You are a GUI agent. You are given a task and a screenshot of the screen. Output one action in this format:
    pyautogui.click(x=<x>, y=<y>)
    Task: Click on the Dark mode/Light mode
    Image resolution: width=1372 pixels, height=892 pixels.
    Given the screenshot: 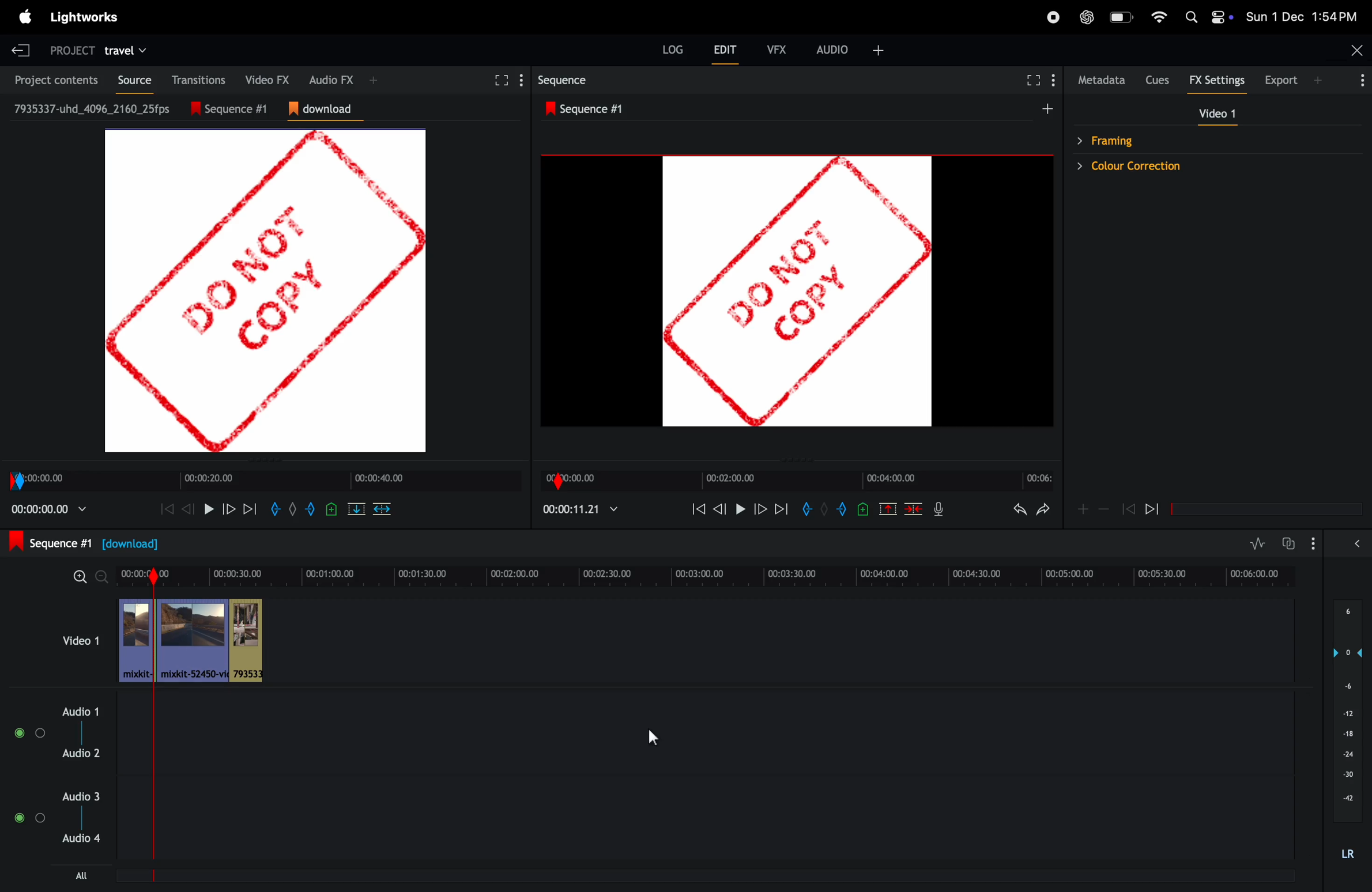 What is the action you would take?
    pyautogui.click(x=1222, y=17)
    